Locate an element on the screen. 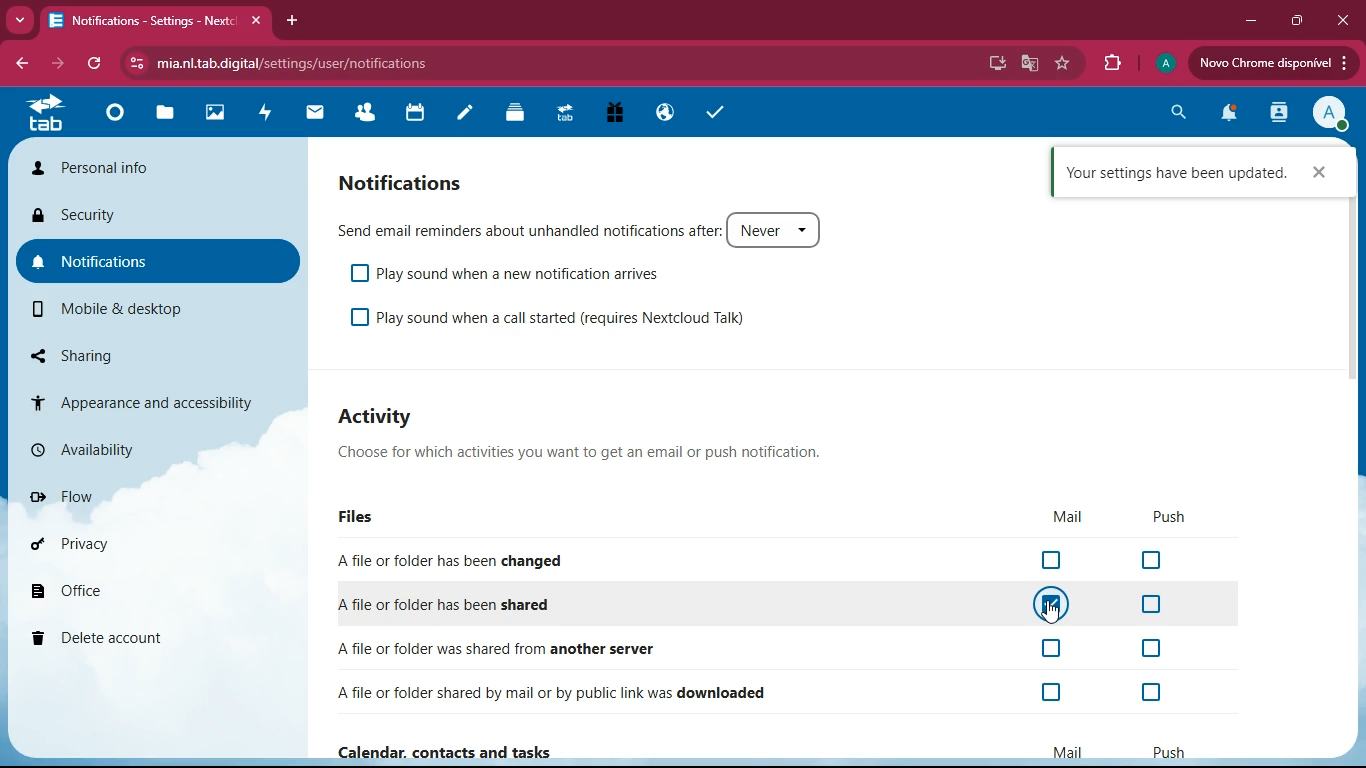  notifications is located at coordinates (1225, 115).